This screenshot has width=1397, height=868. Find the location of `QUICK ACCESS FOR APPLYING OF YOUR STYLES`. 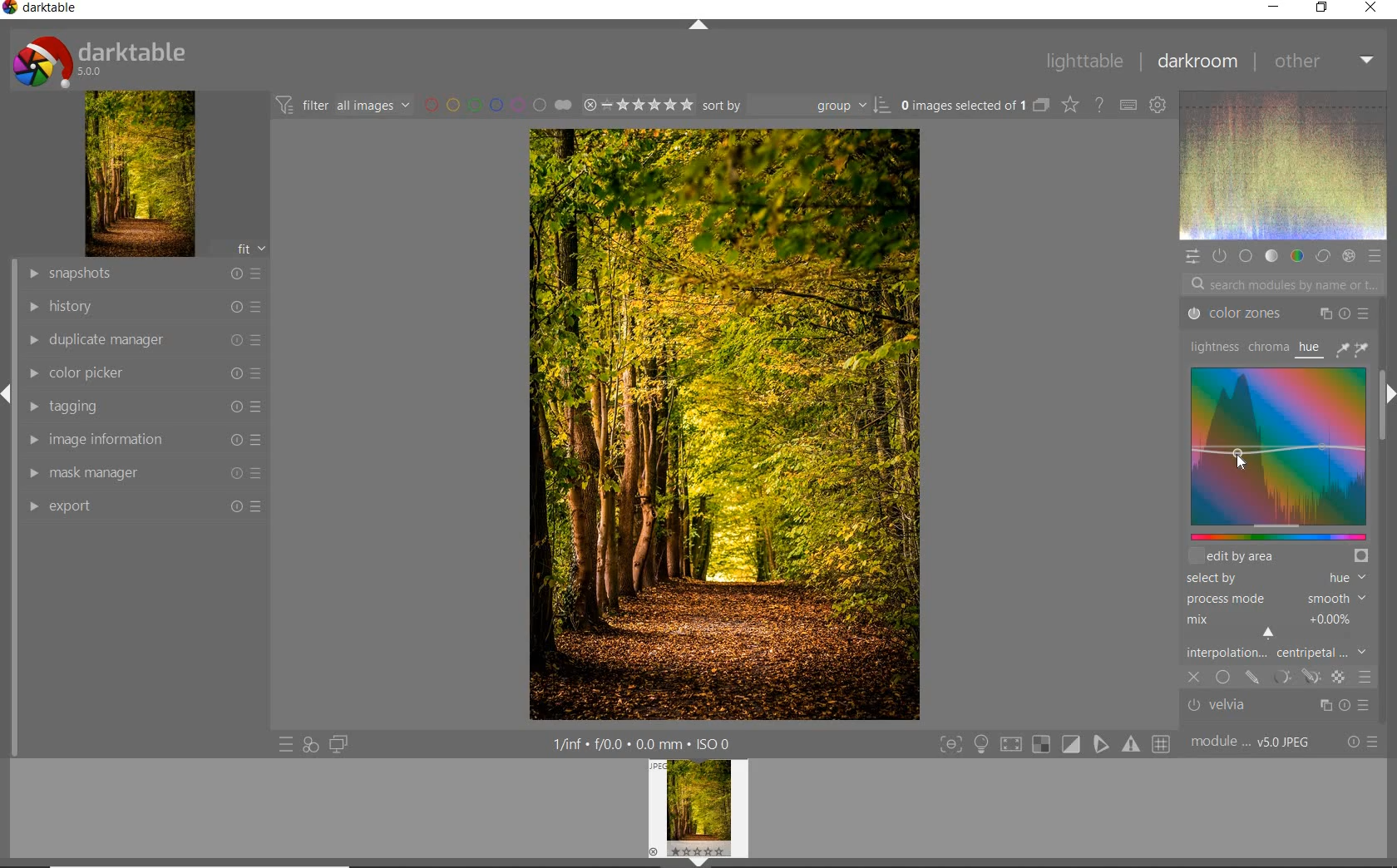

QUICK ACCESS FOR APPLYING OF YOUR STYLES is located at coordinates (309, 745).